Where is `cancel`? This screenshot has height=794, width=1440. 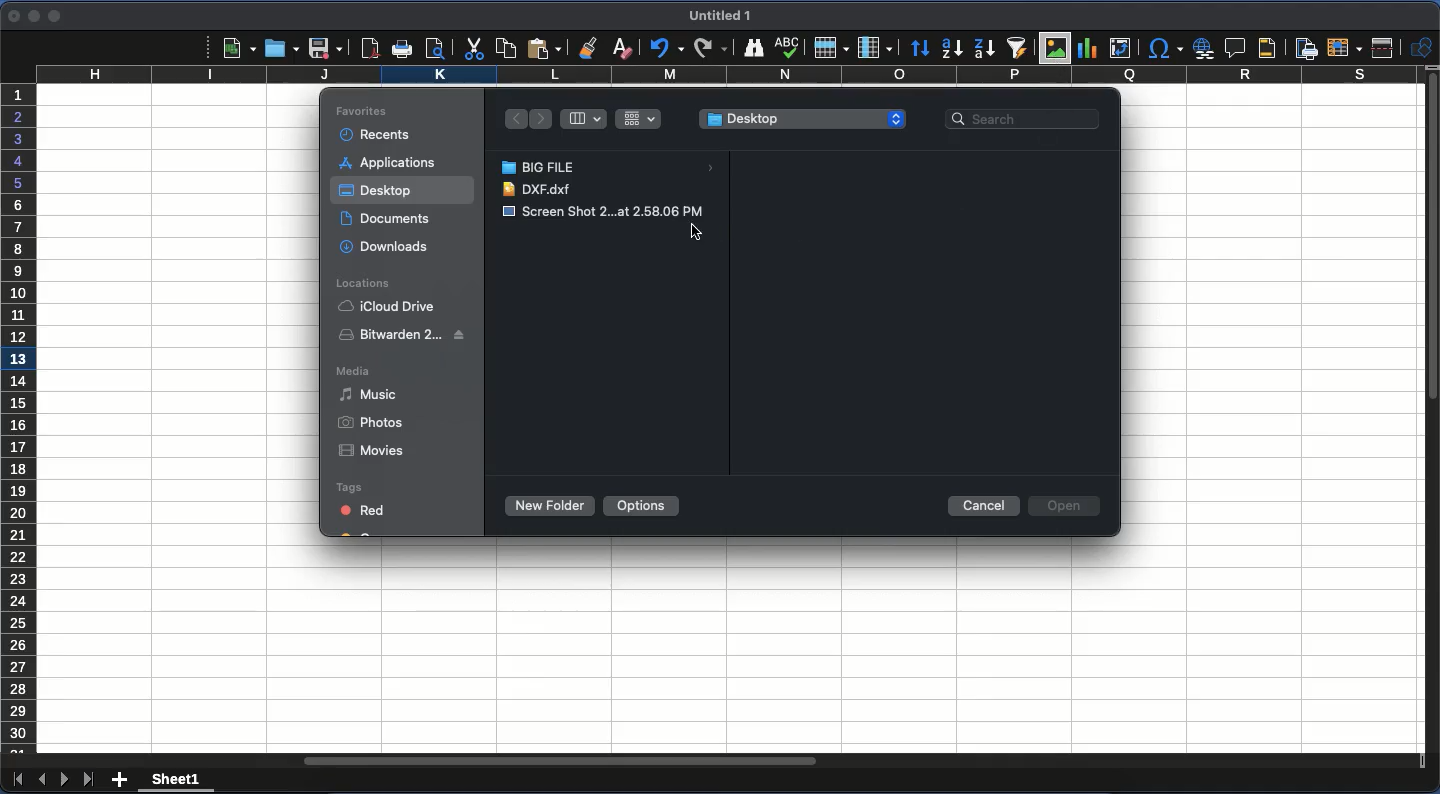
cancel is located at coordinates (982, 508).